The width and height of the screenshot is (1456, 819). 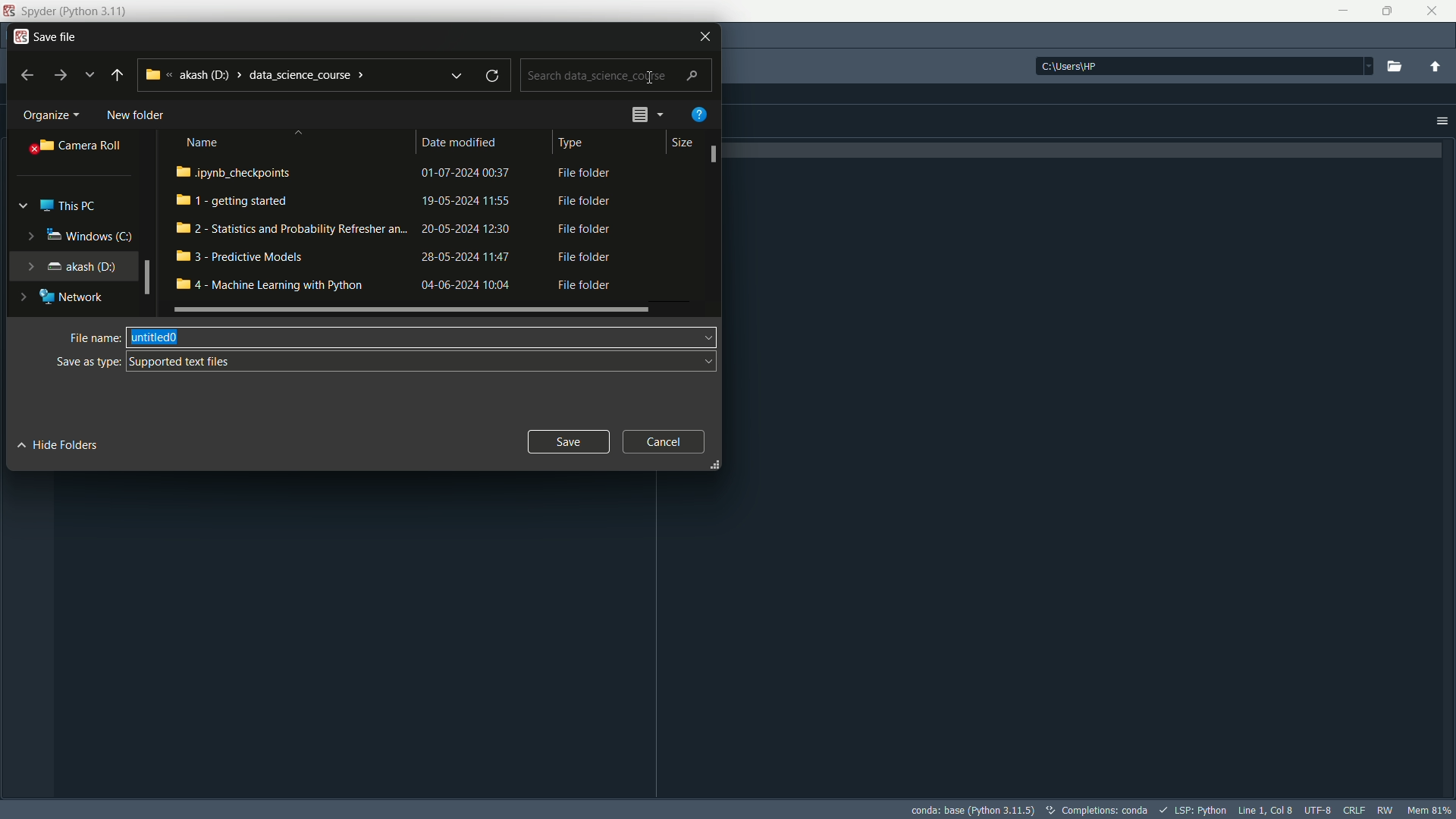 What do you see at coordinates (1436, 66) in the screenshot?
I see `change to  parent directory` at bounding box center [1436, 66].